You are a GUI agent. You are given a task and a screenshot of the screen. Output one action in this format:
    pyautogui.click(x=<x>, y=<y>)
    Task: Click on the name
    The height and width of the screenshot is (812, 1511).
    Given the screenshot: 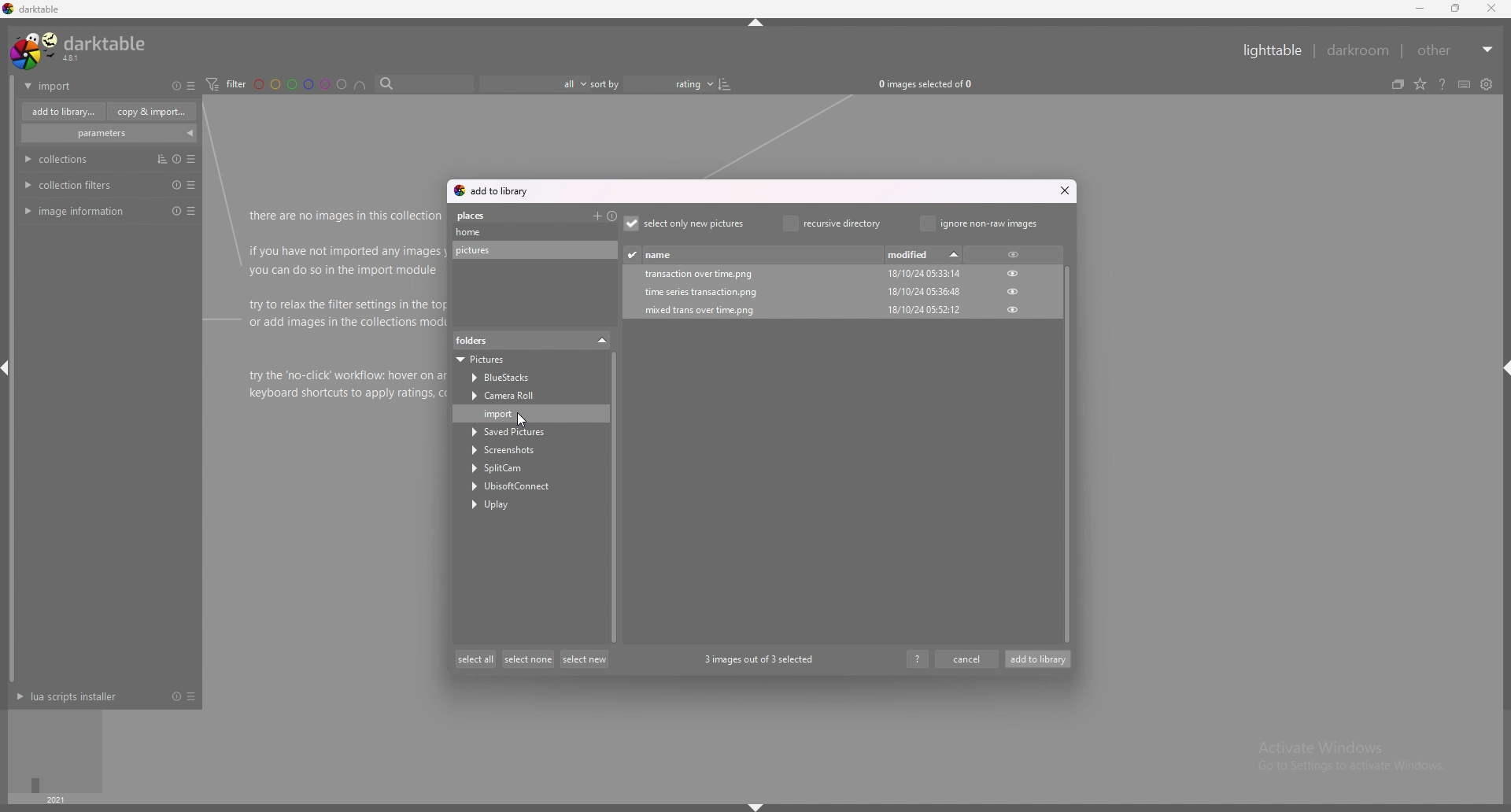 What is the action you would take?
    pyautogui.click(x=763, y=254)
    